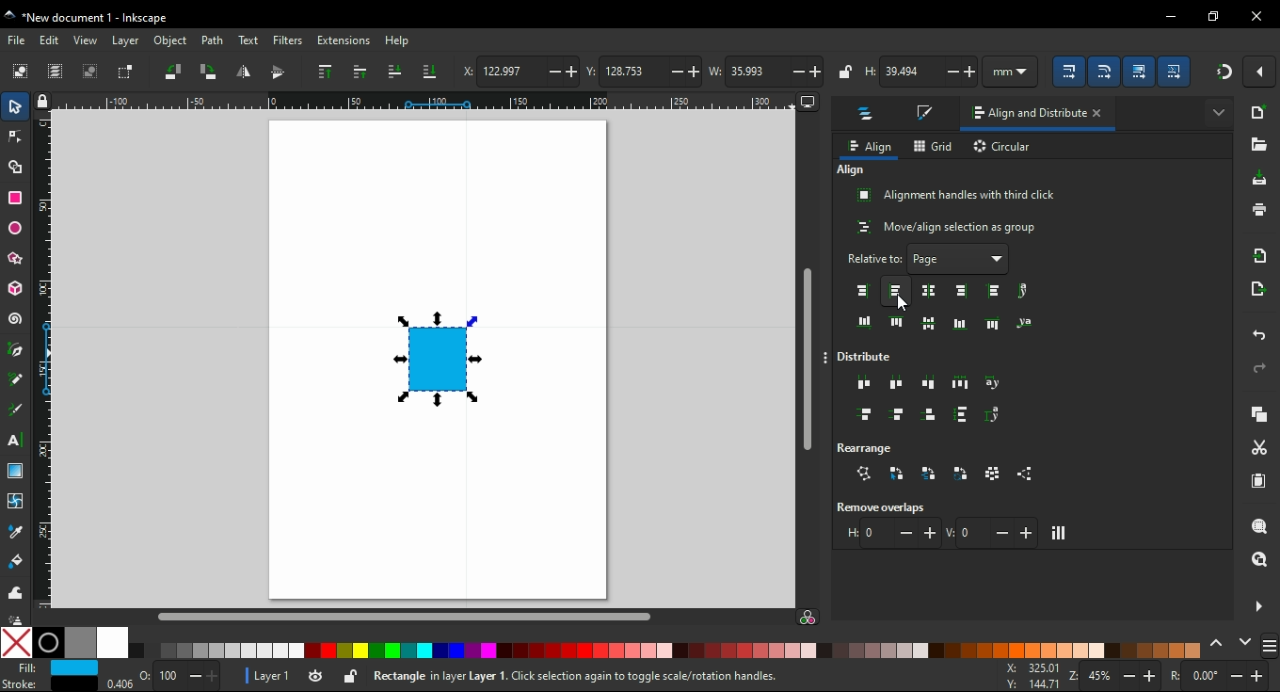  I want to click on rearrange, so click(867, 448).